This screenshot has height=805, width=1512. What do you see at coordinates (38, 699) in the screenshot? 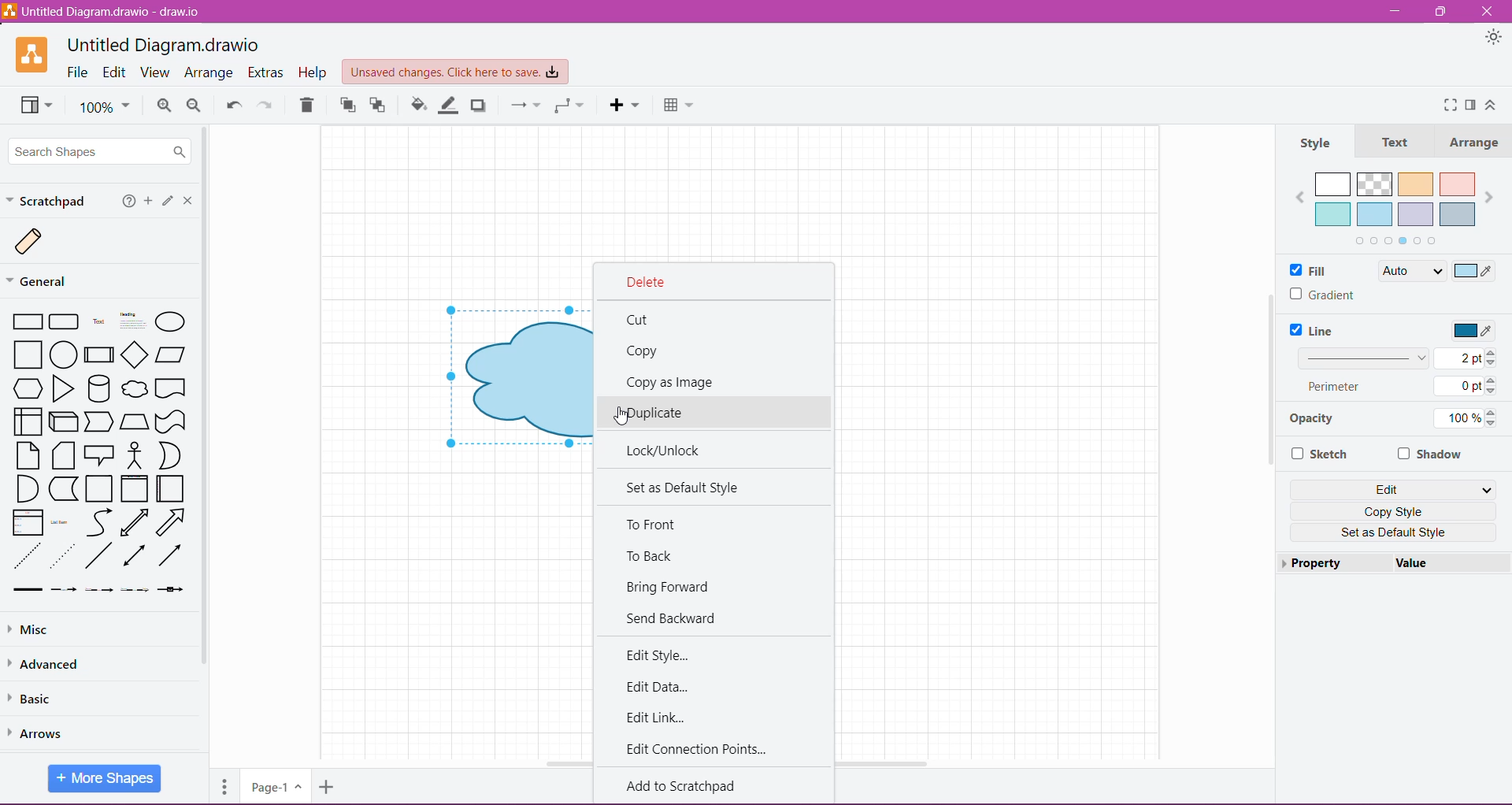
I see `Basic` at bounding box center [38, 699].